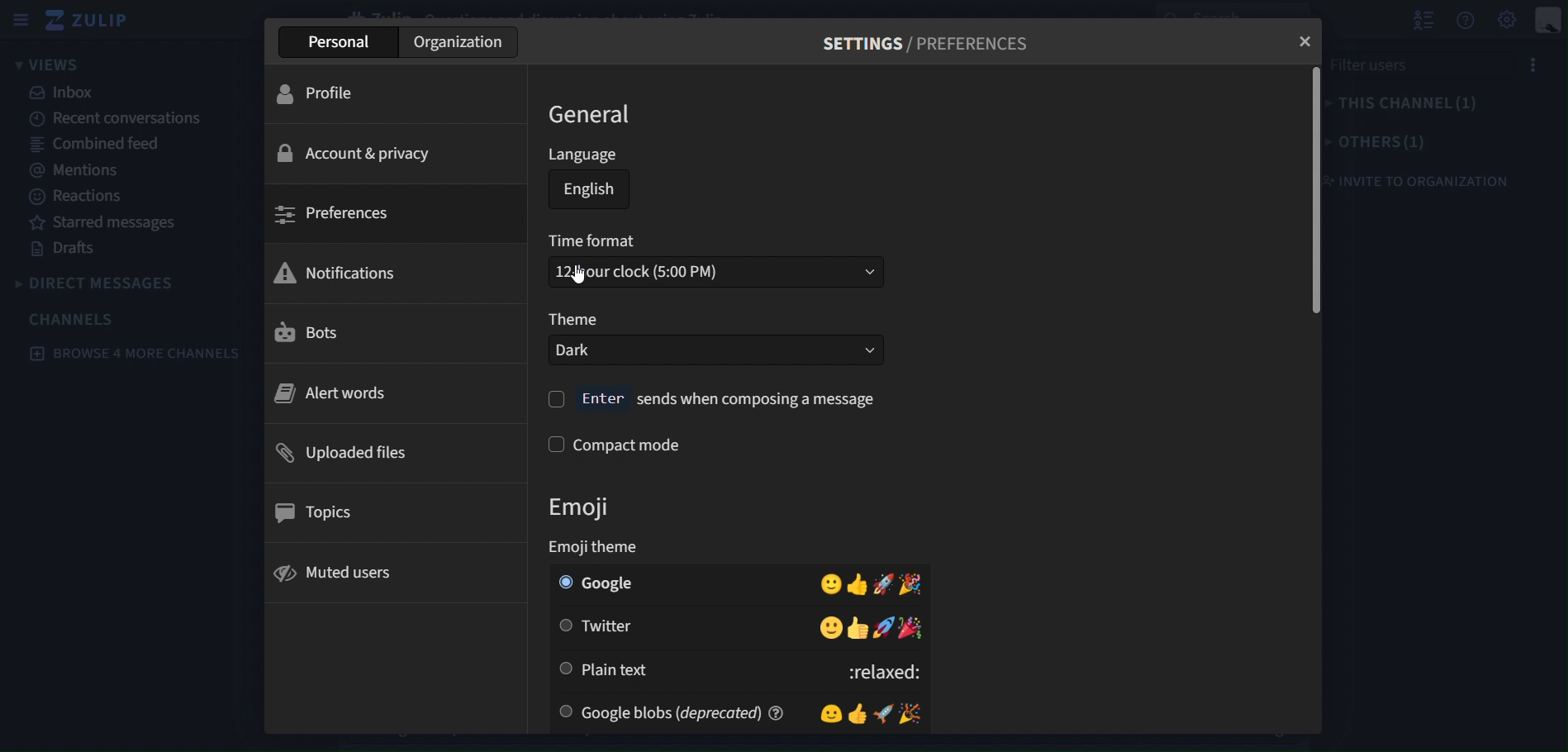 The width and height of the screenshot is (1568, 752). What do you see at coordinates (1314, 190) in the screenshot?
I see `vertical scrollbar` at bounding box center [1314, 190].